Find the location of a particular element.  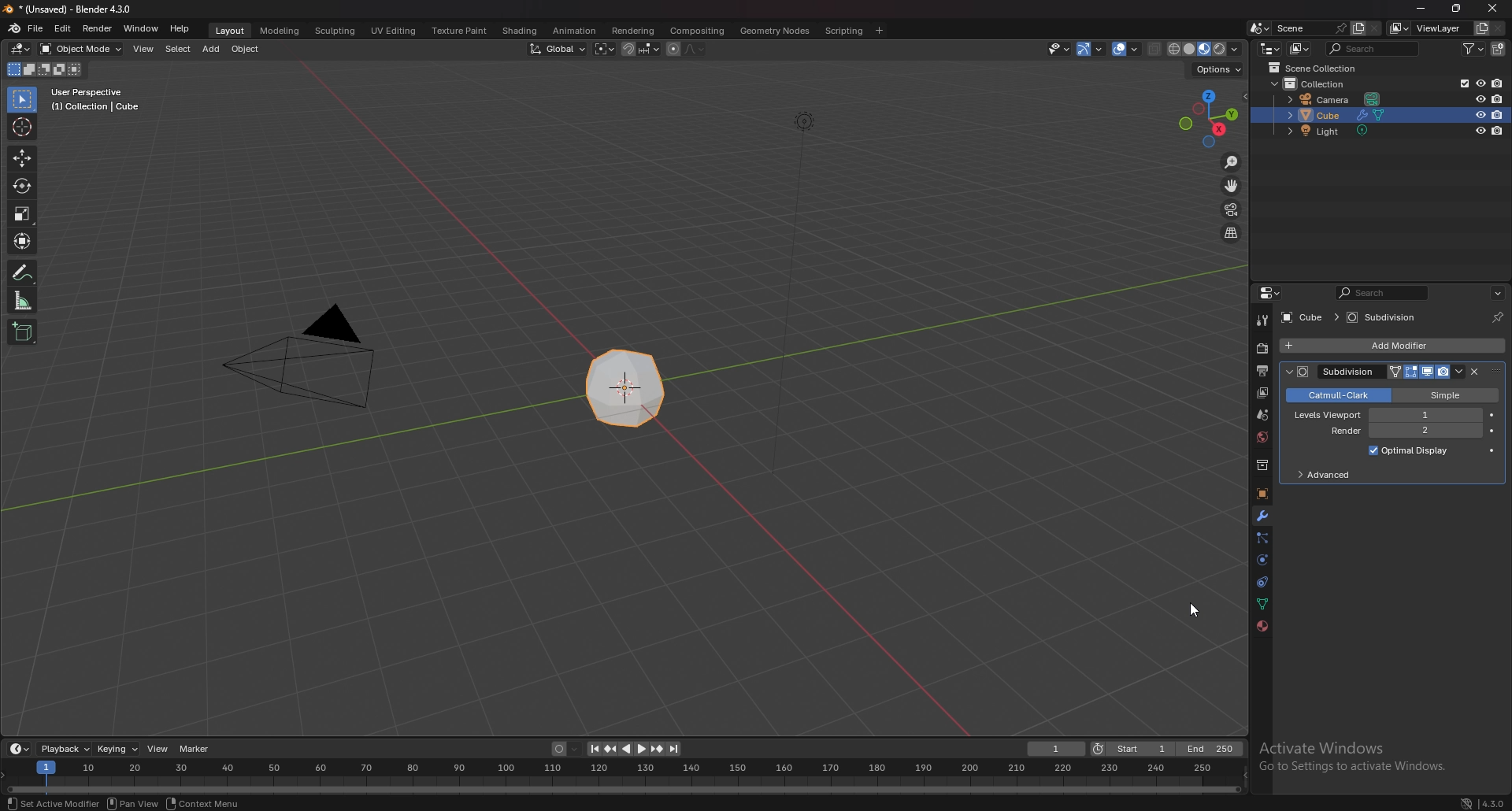

close is located at coordinates (1494, 8).